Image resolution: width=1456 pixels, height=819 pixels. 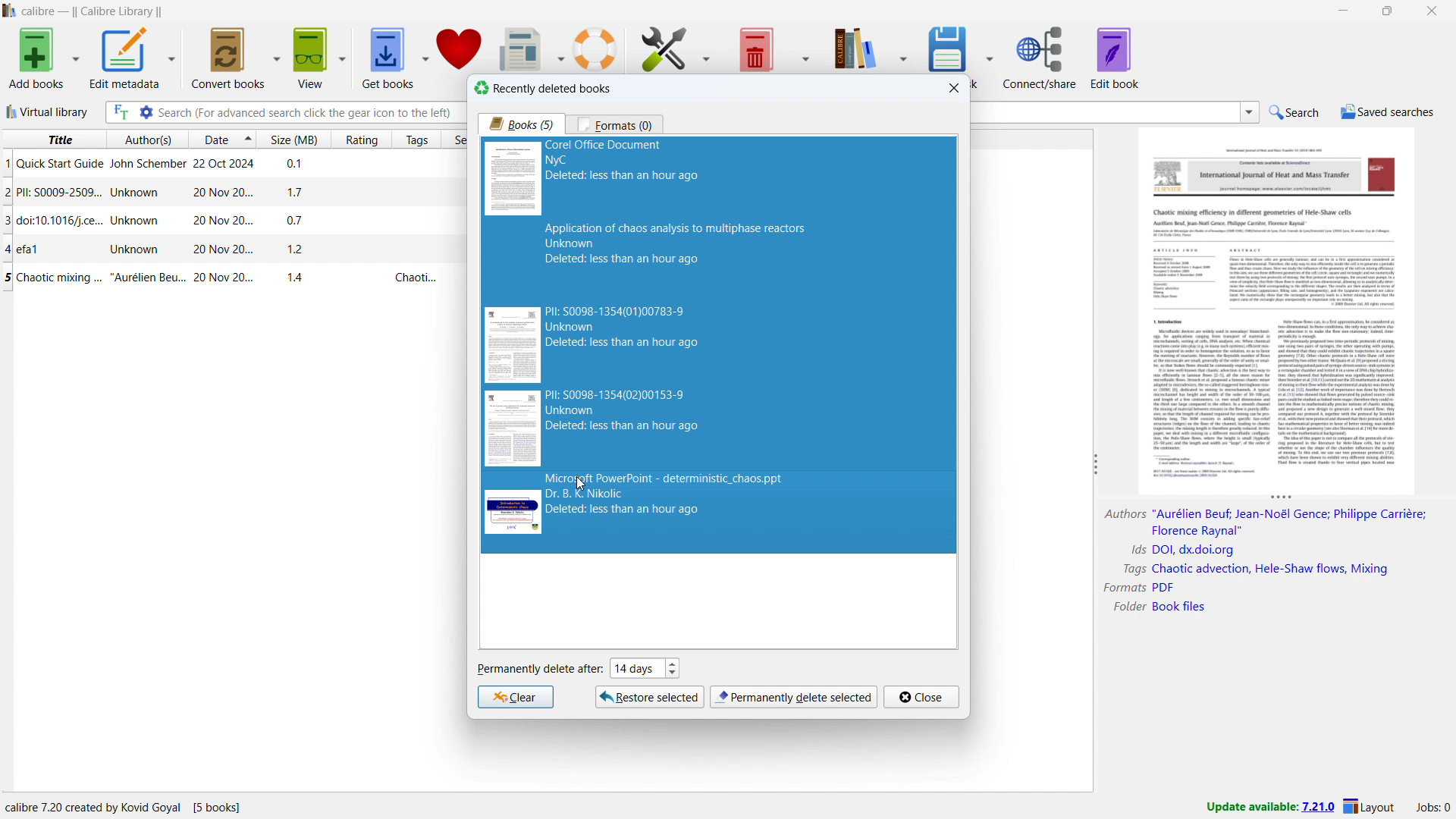 I want to click on double click to open book details window, so click(x=1279, y=309).